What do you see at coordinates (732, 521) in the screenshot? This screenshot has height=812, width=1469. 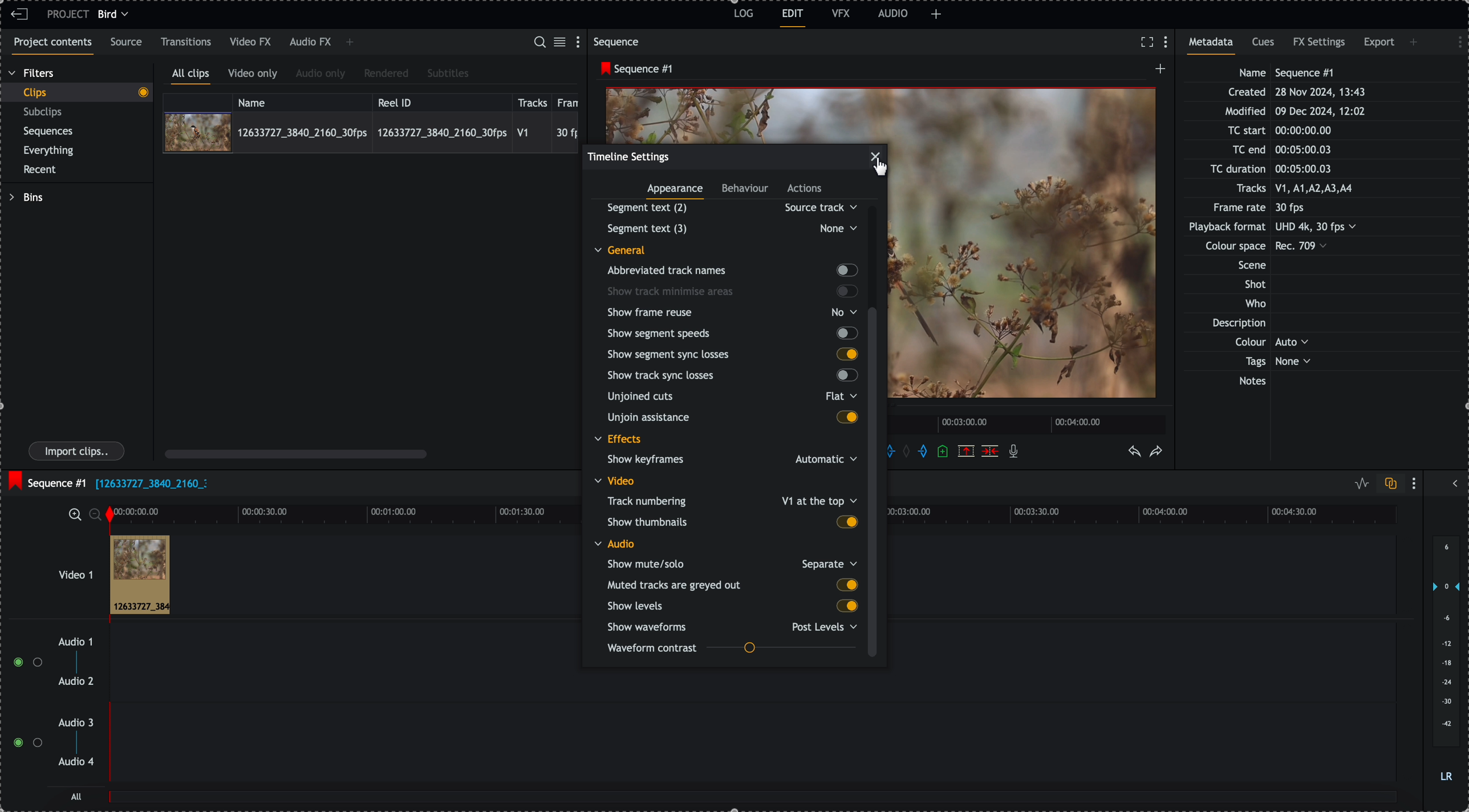 I see `show thumbnails` at bounding box center [732, 521].